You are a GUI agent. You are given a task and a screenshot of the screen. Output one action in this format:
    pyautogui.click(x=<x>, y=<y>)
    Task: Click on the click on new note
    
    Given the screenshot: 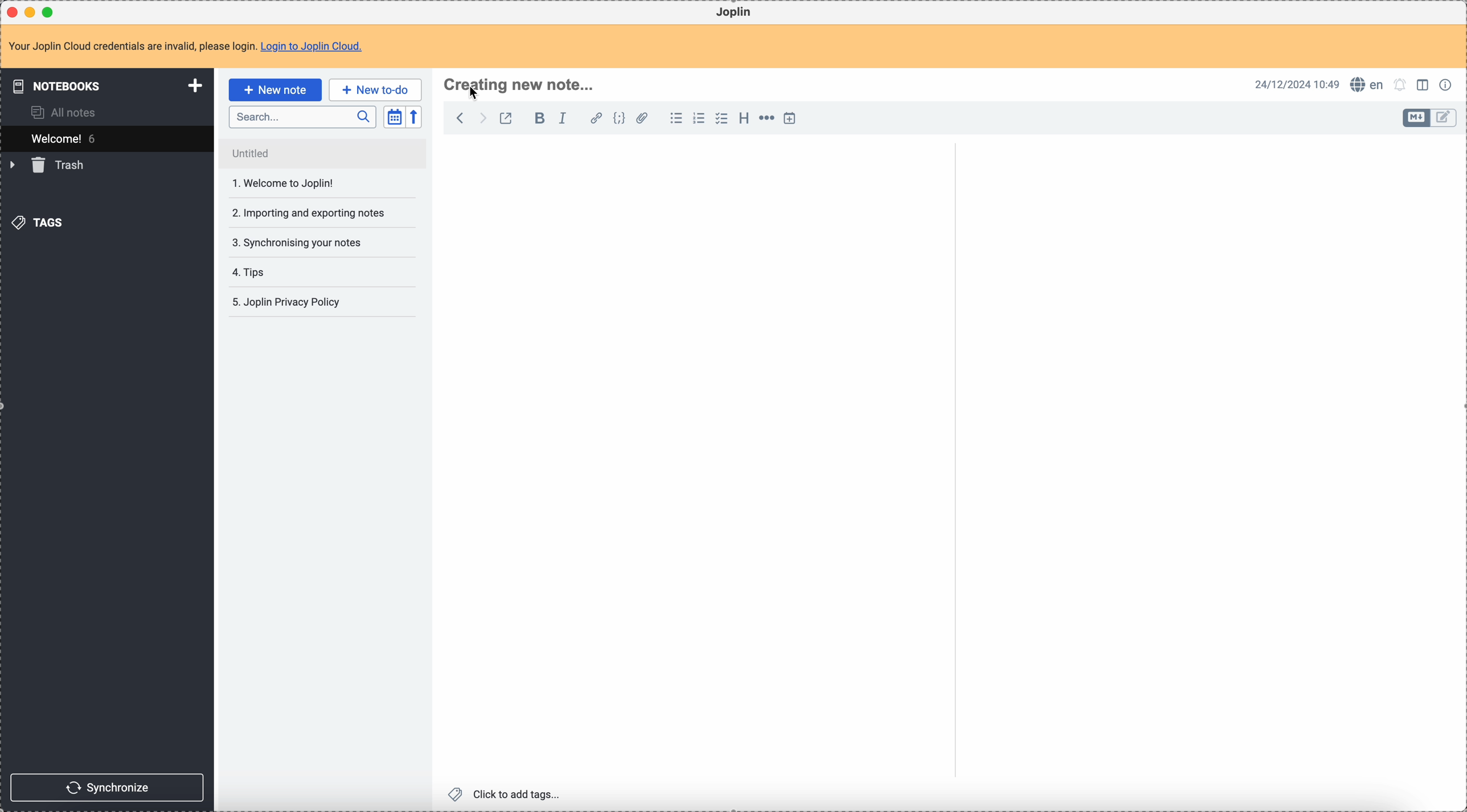 What is the action you would take?
    pyautogui.click(x=274, y=90)
    